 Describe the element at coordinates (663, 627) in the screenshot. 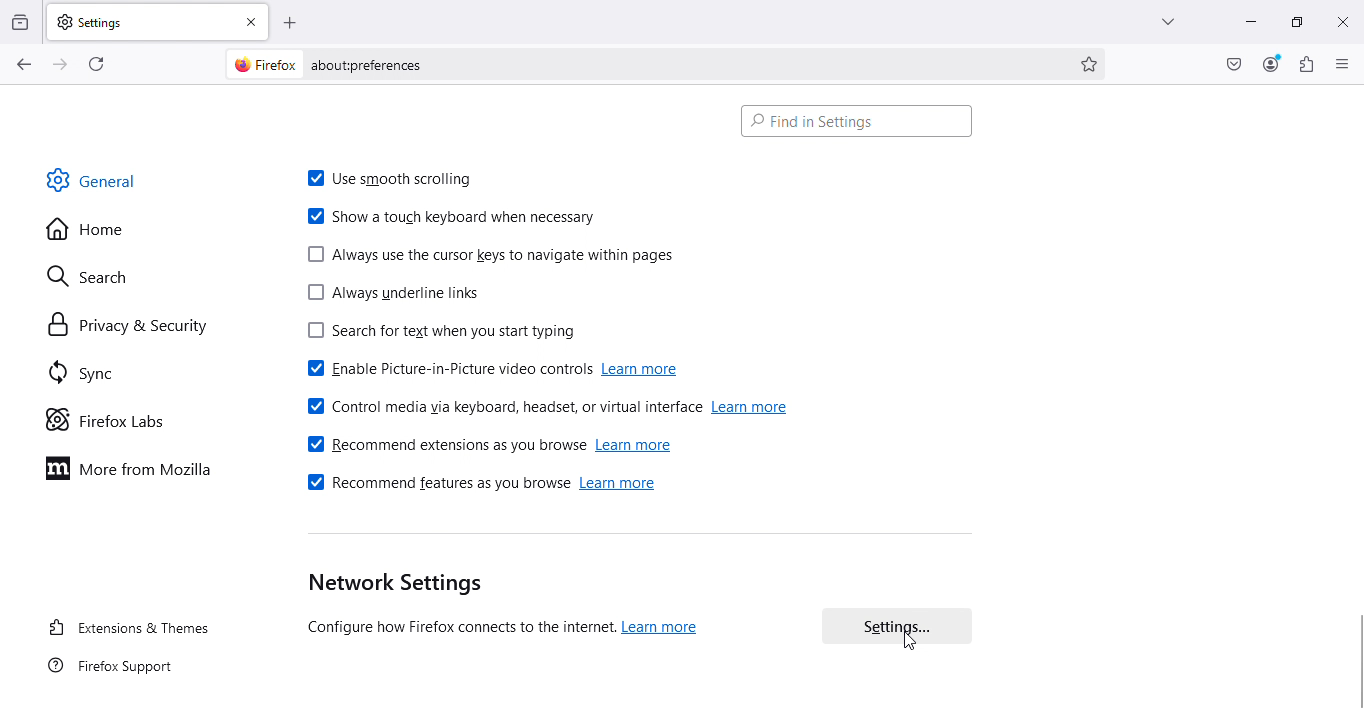

I see `learn more` at that location.